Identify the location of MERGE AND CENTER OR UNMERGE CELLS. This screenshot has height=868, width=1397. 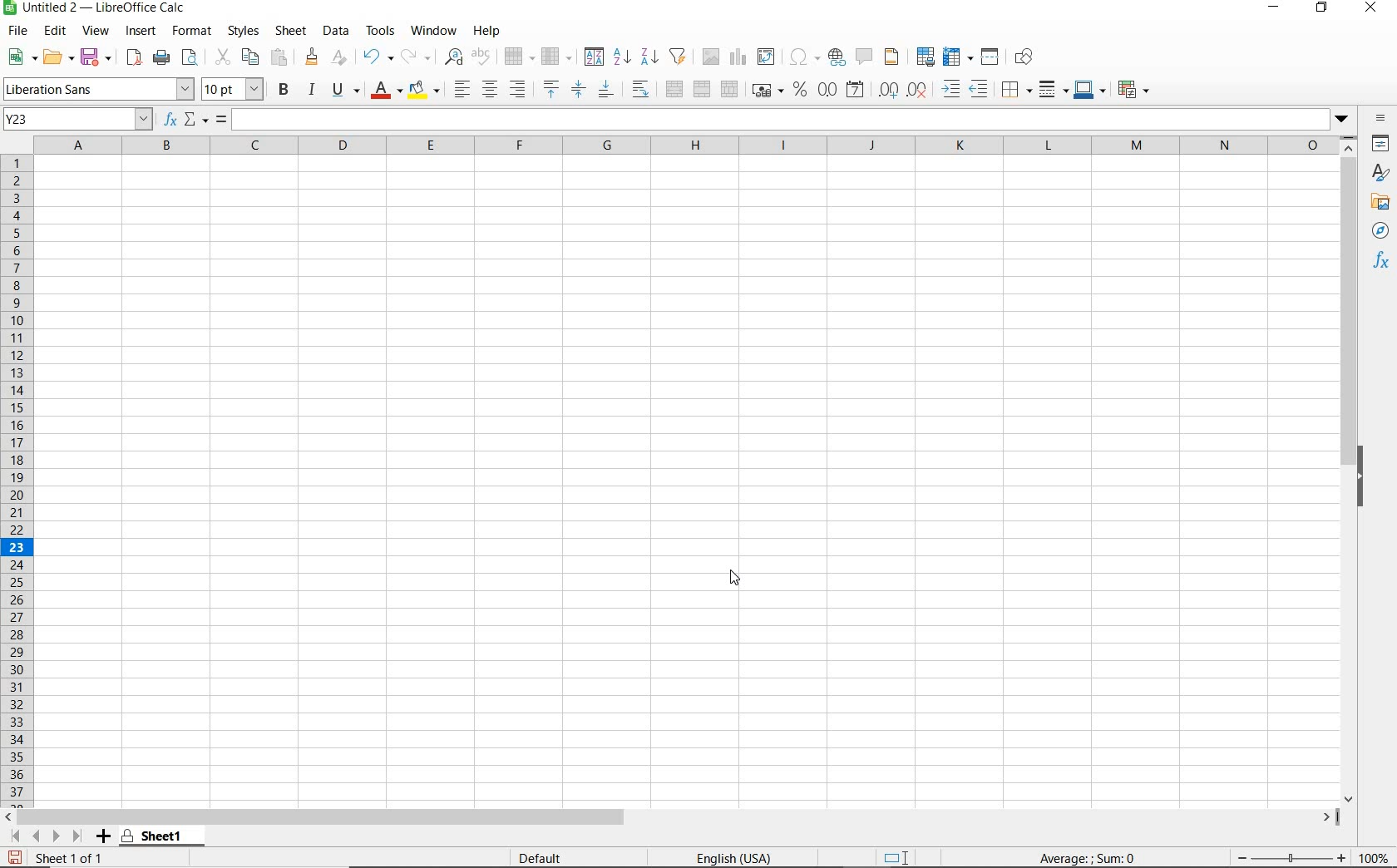
(674, 89).